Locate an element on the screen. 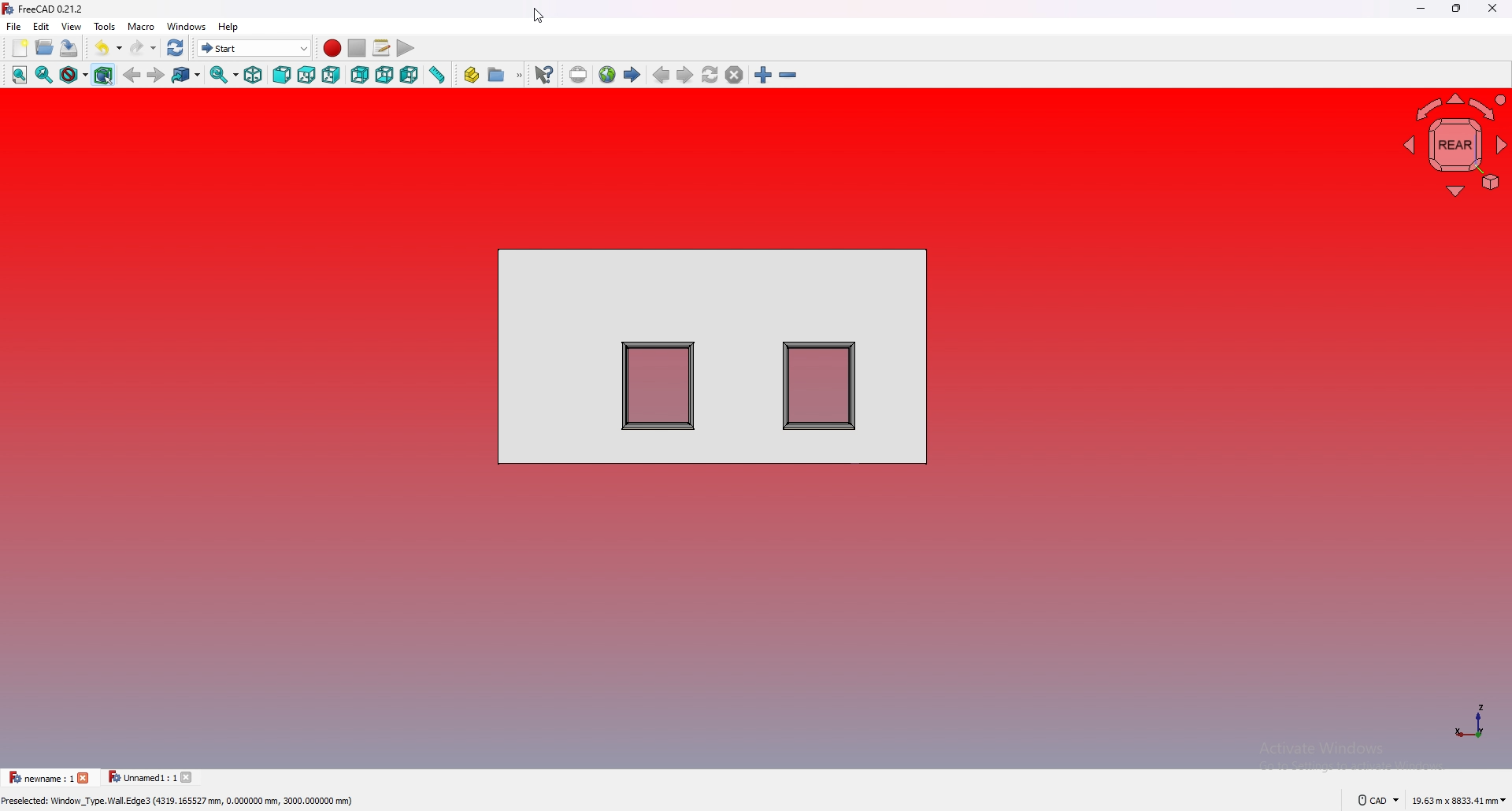  open is located at coordinates (45, 46).